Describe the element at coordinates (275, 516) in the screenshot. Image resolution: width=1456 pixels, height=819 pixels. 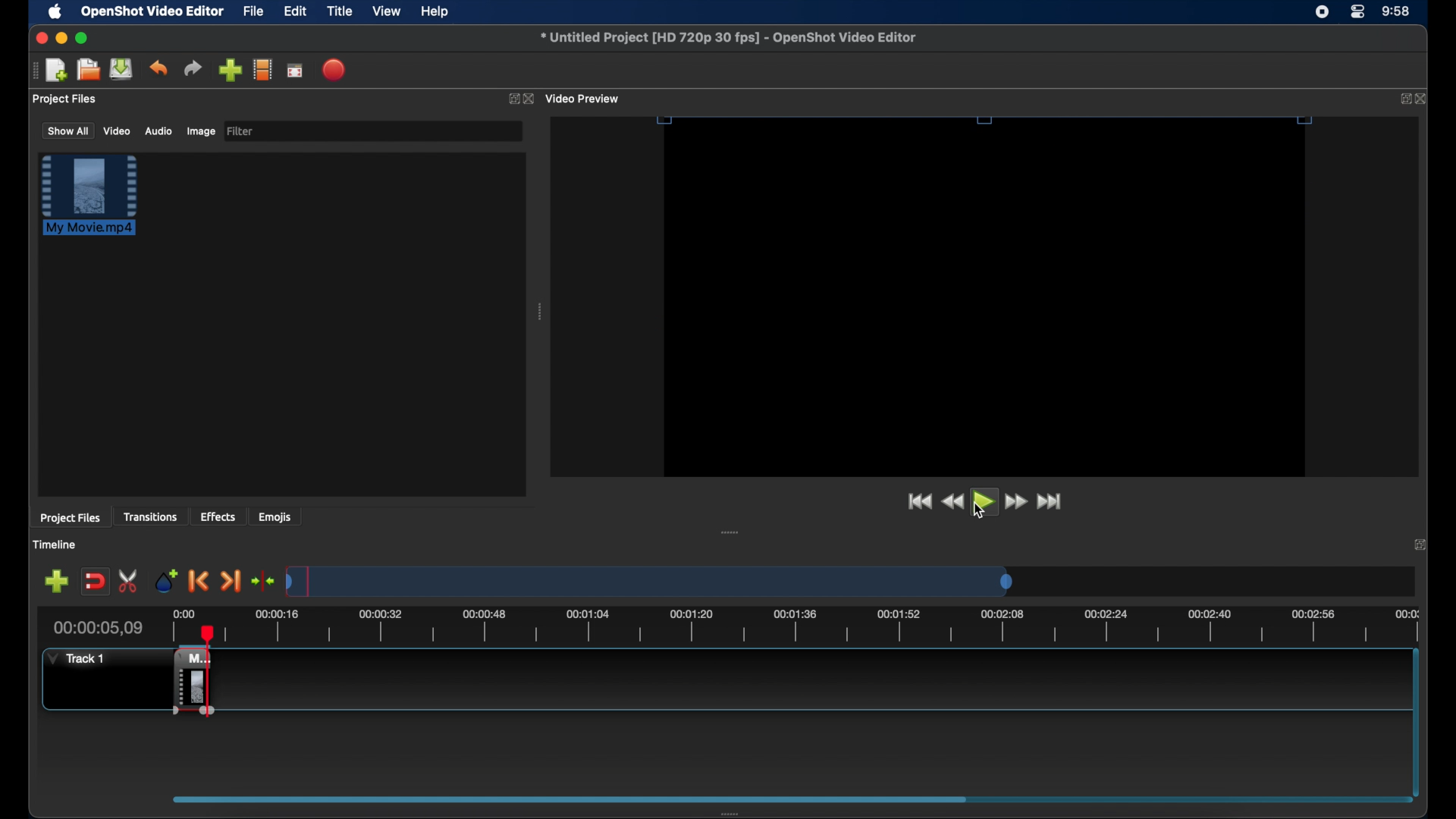
I see `emojis` at that location.